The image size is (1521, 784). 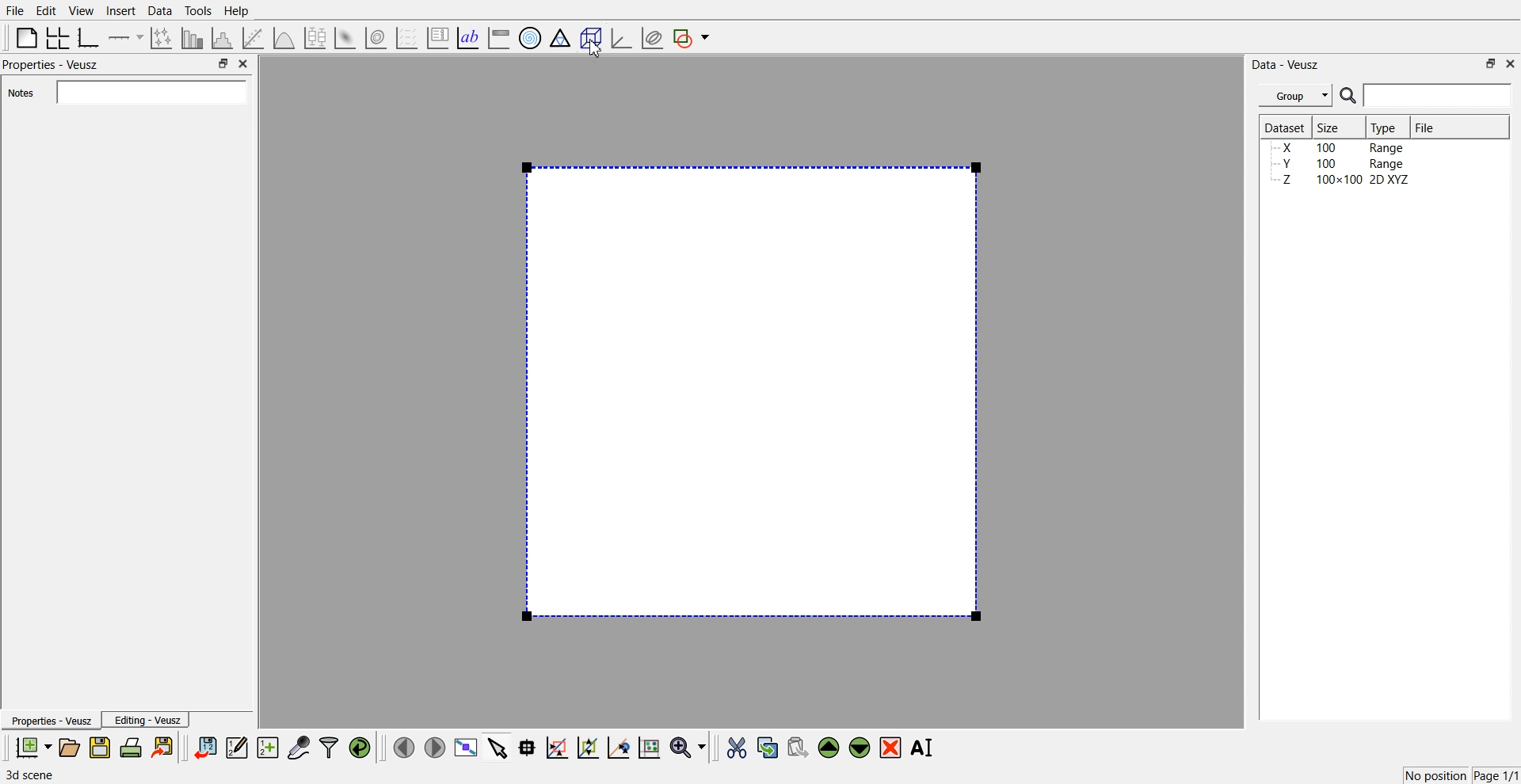 I want to click on Export to graphic format, so click(x=164, y=747).